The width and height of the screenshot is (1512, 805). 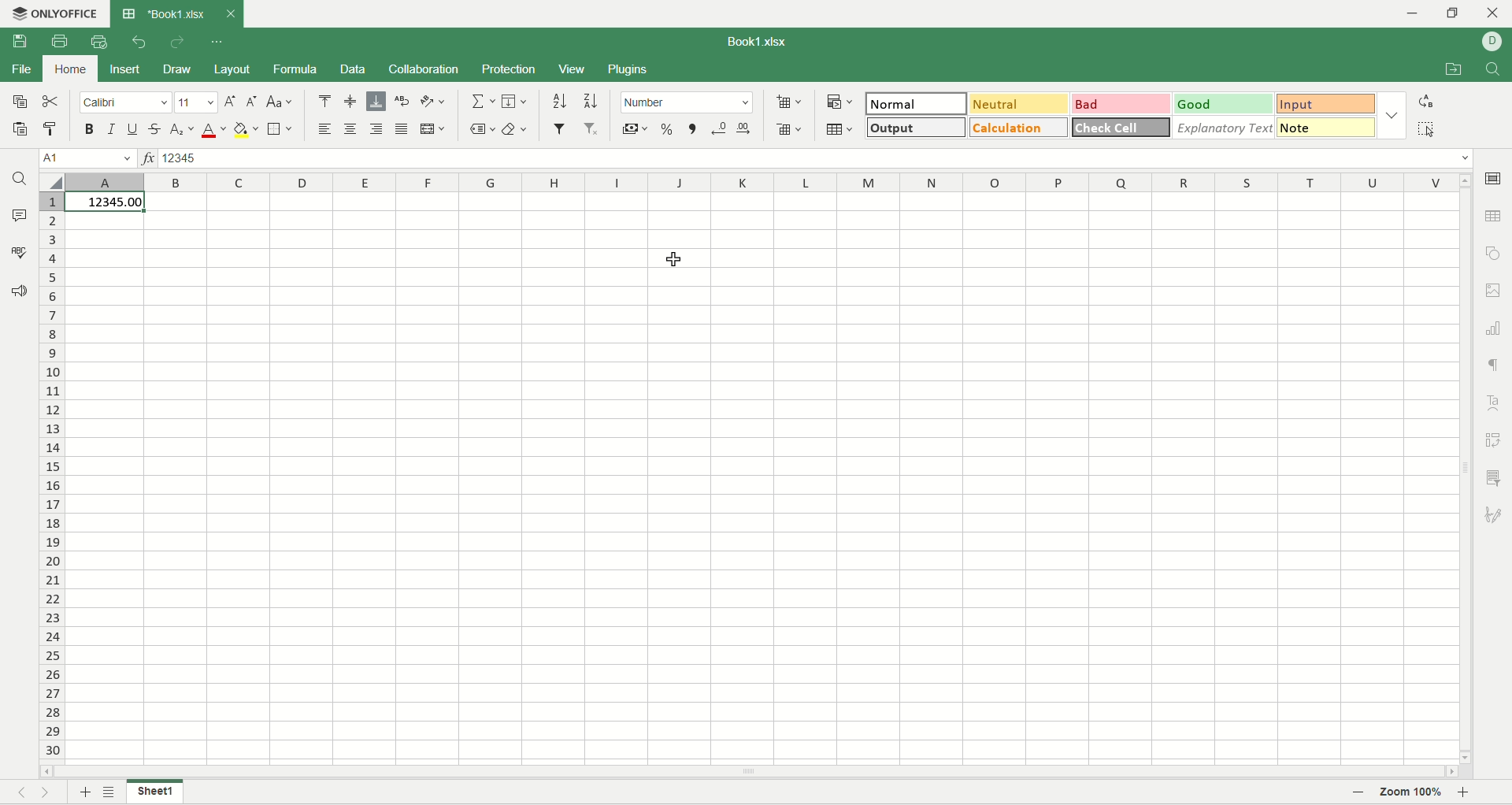 I want to click on bold, so click(x=91, y=130).